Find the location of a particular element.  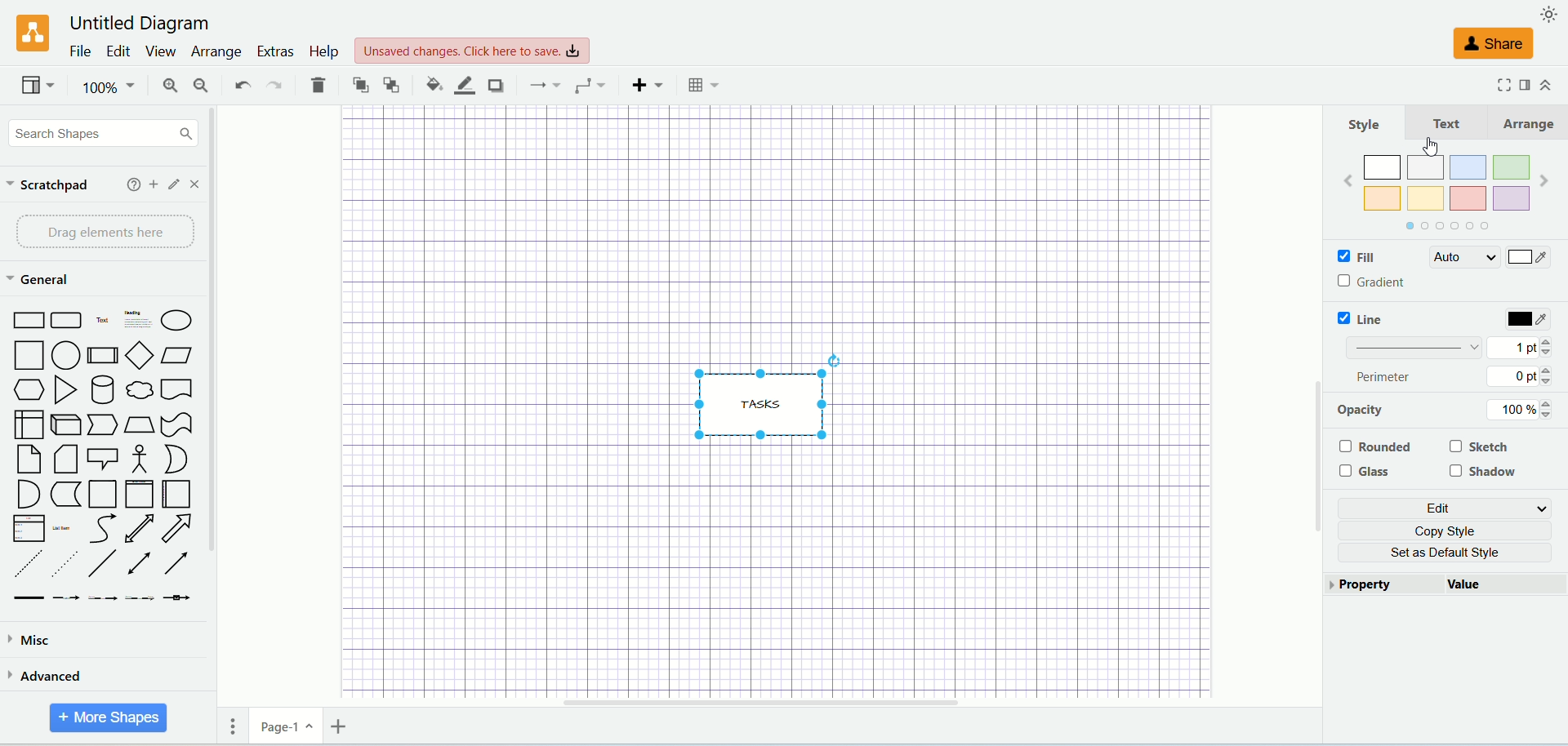

scratchpad is located at coordinates (50, 186).